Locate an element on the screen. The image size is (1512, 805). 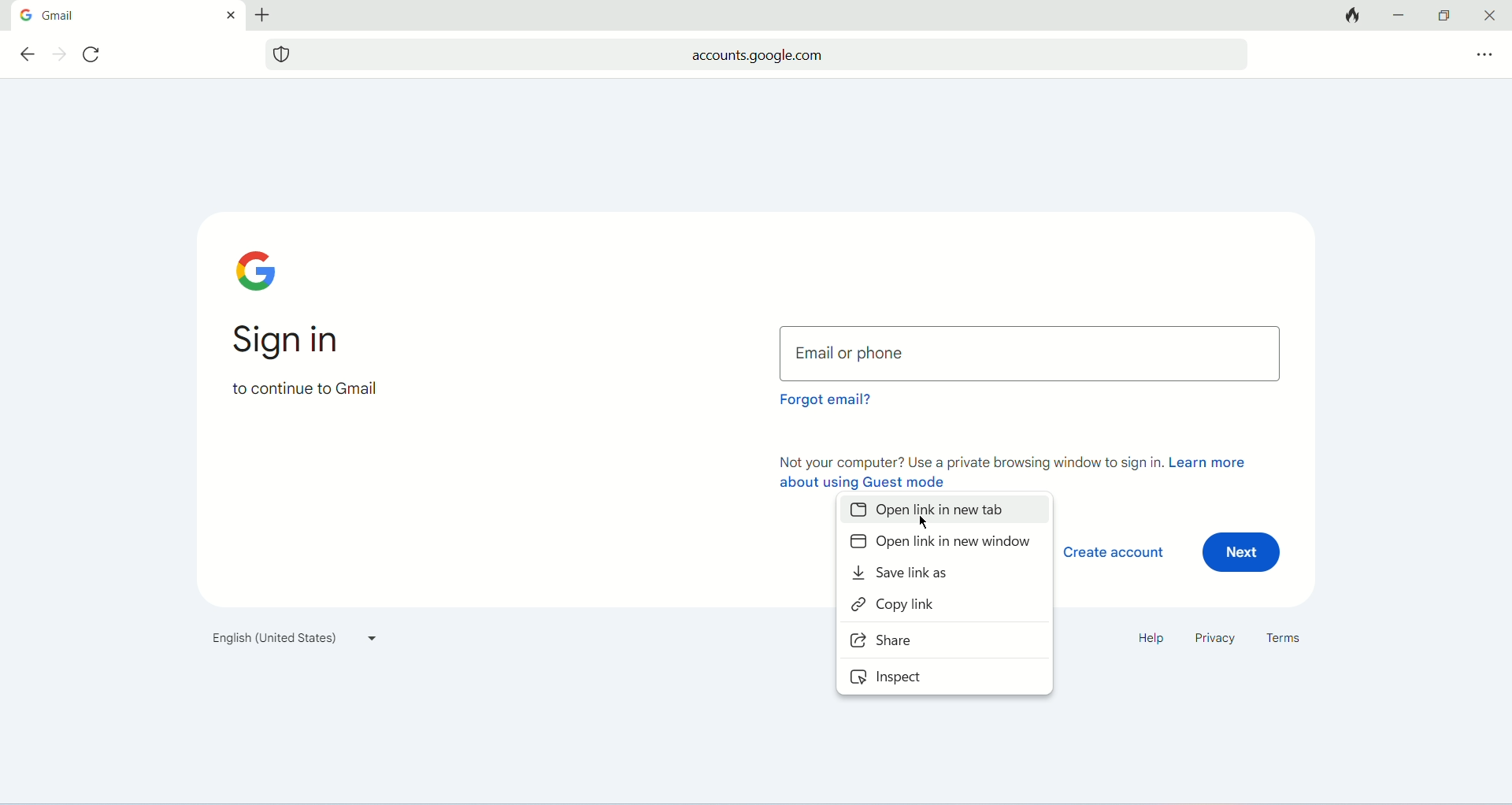
mouse pointer is located at coordinates (924, 523).